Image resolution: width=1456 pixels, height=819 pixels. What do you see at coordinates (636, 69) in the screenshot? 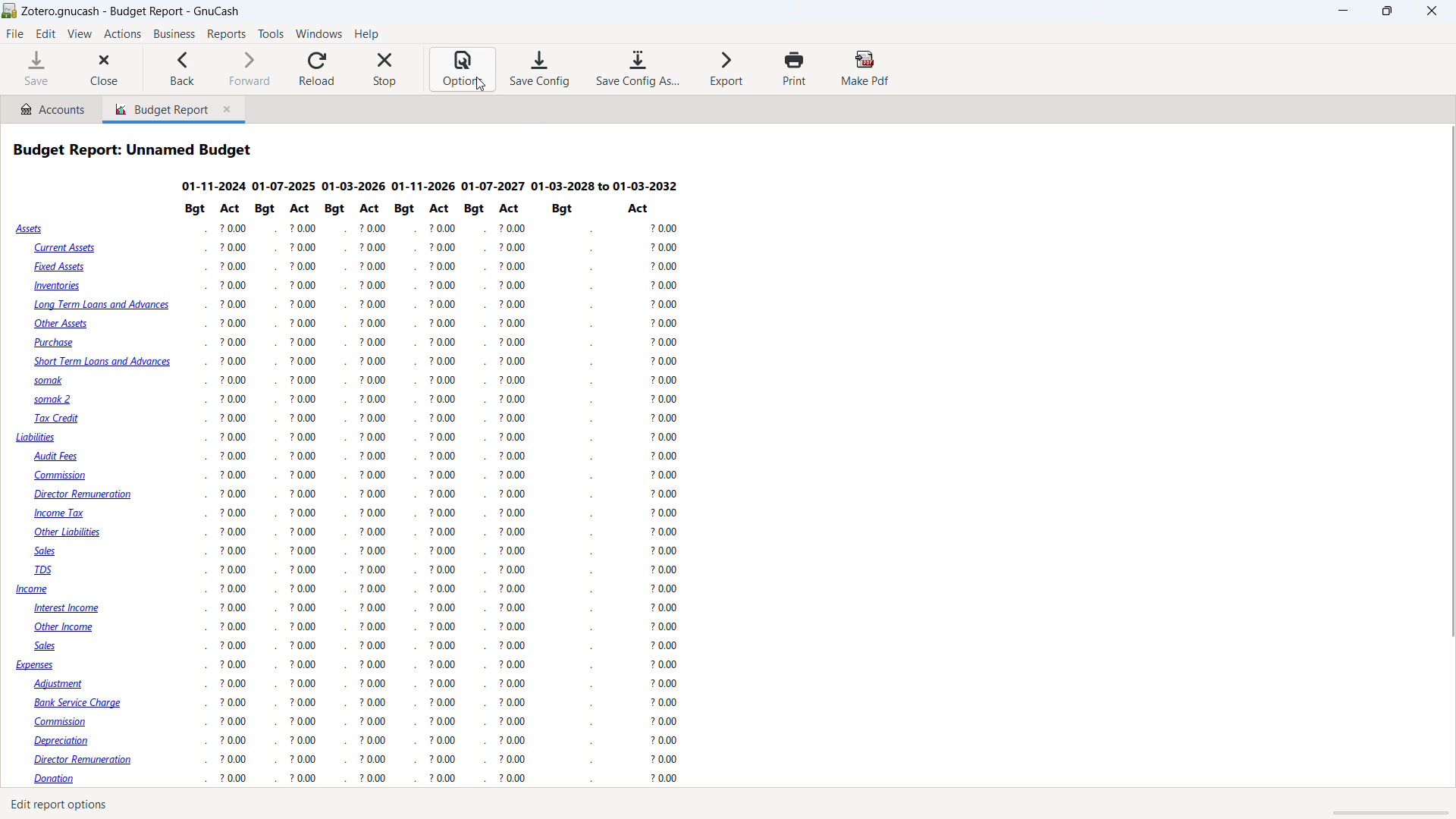
I see `save configuration as` at bounding box center [636, 69].